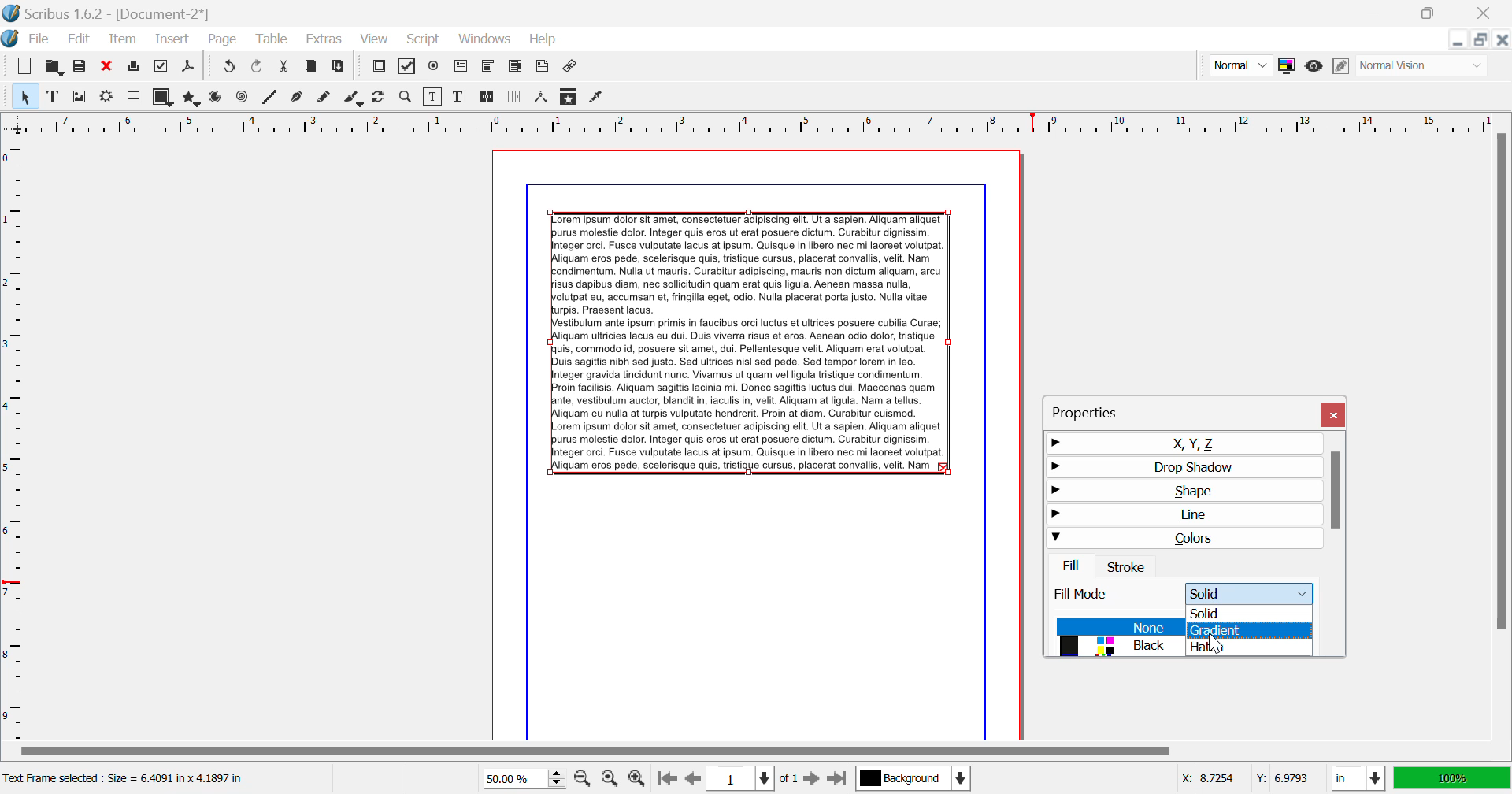 Image resolution: width=1512 pixels, height=794 pixels. I want to click on Colors Tab Open, so click(1186, 553).